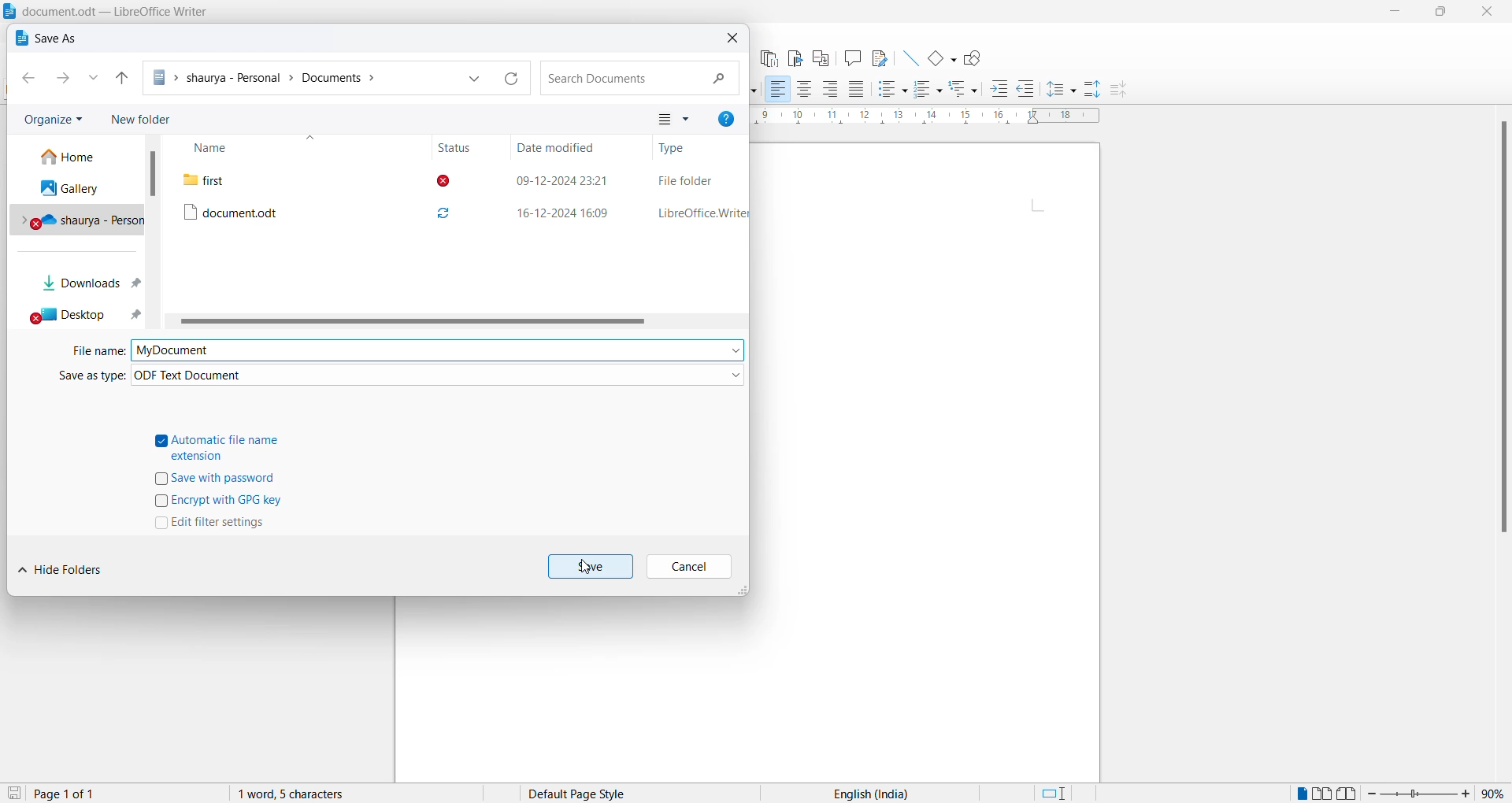  I want to click on scrollbar, so click(409, 324).